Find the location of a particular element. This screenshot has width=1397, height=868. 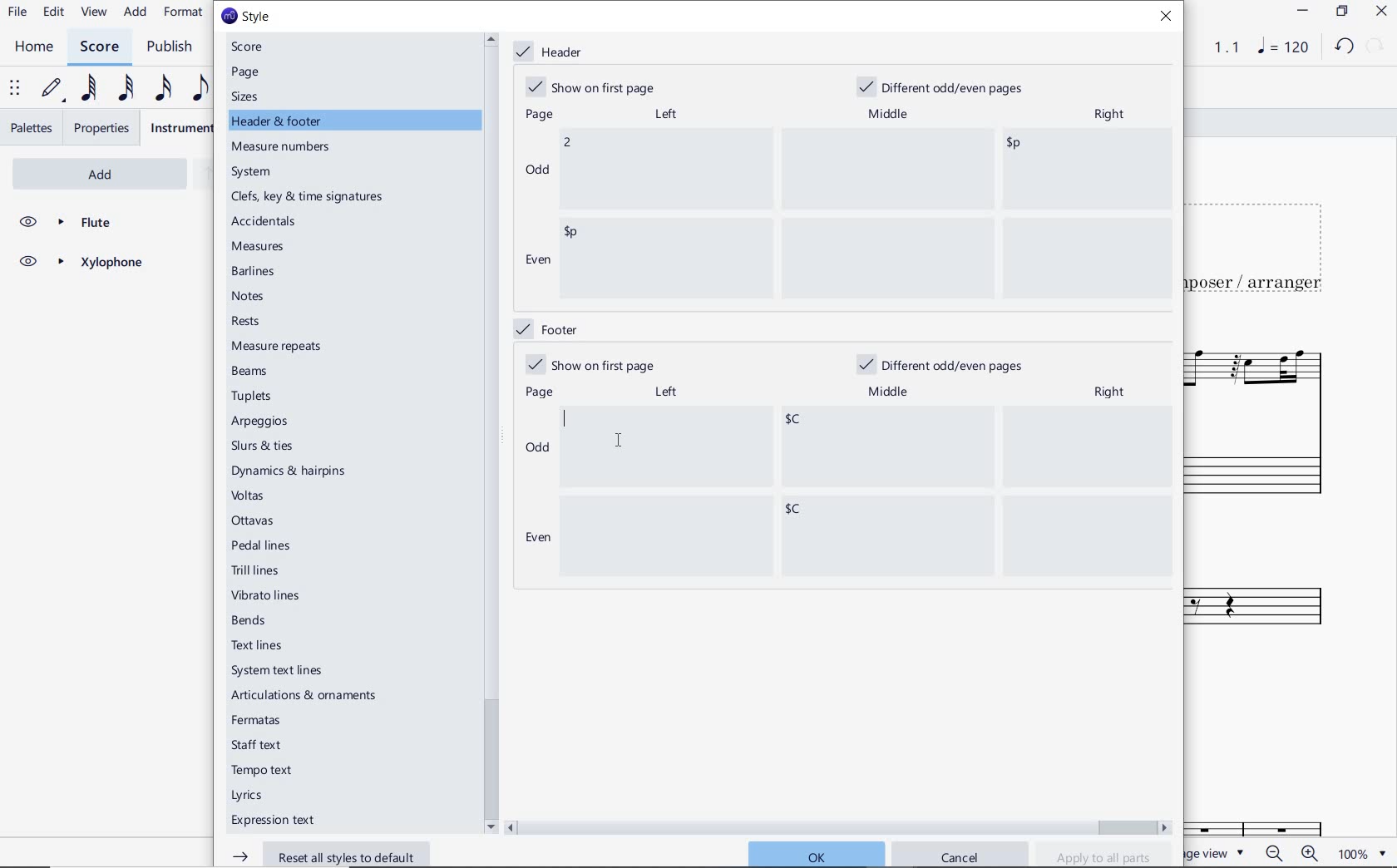

clefs, key & time signatures is located at coordinates (311, 197).